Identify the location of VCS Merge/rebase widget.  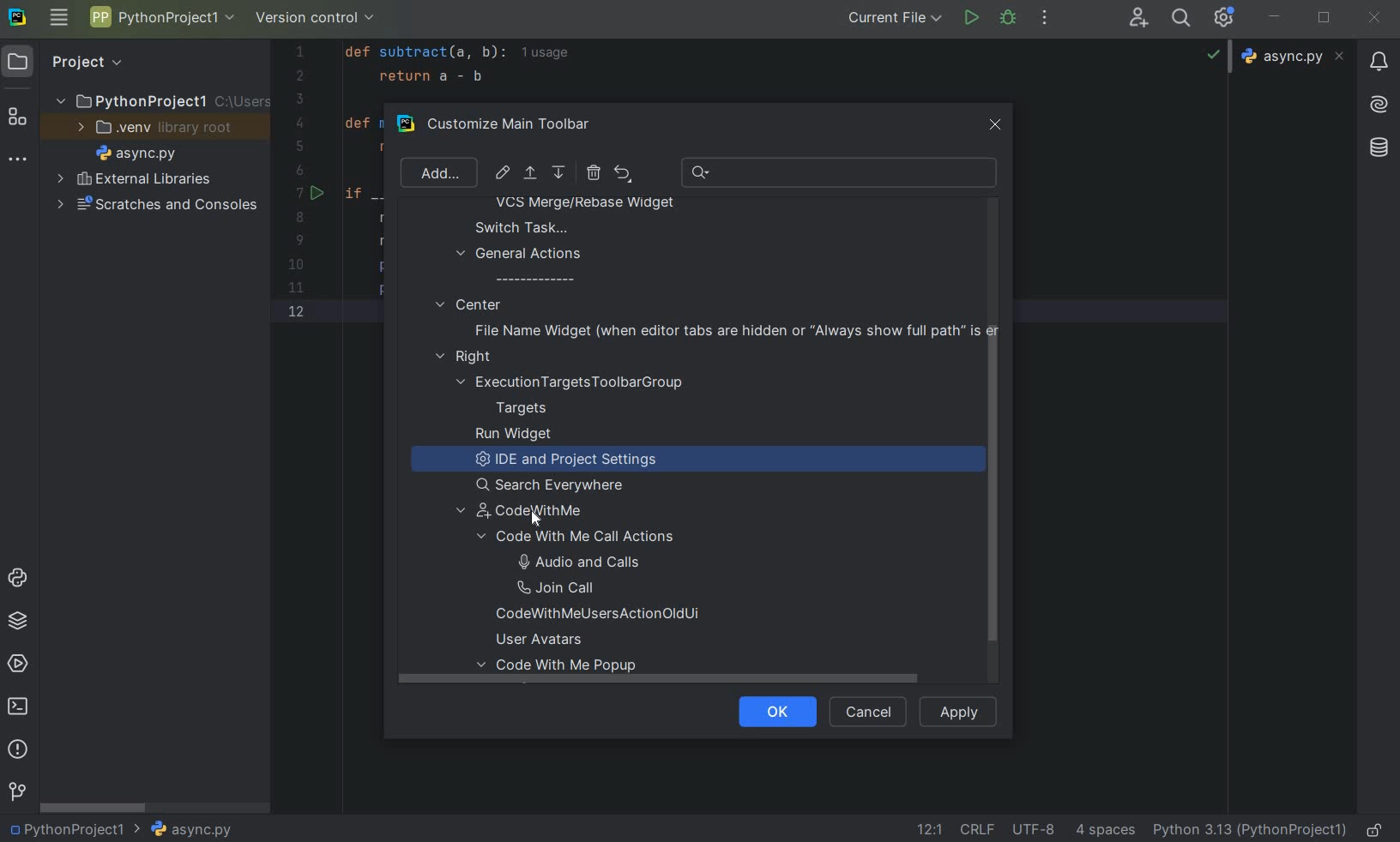
(585, 204).